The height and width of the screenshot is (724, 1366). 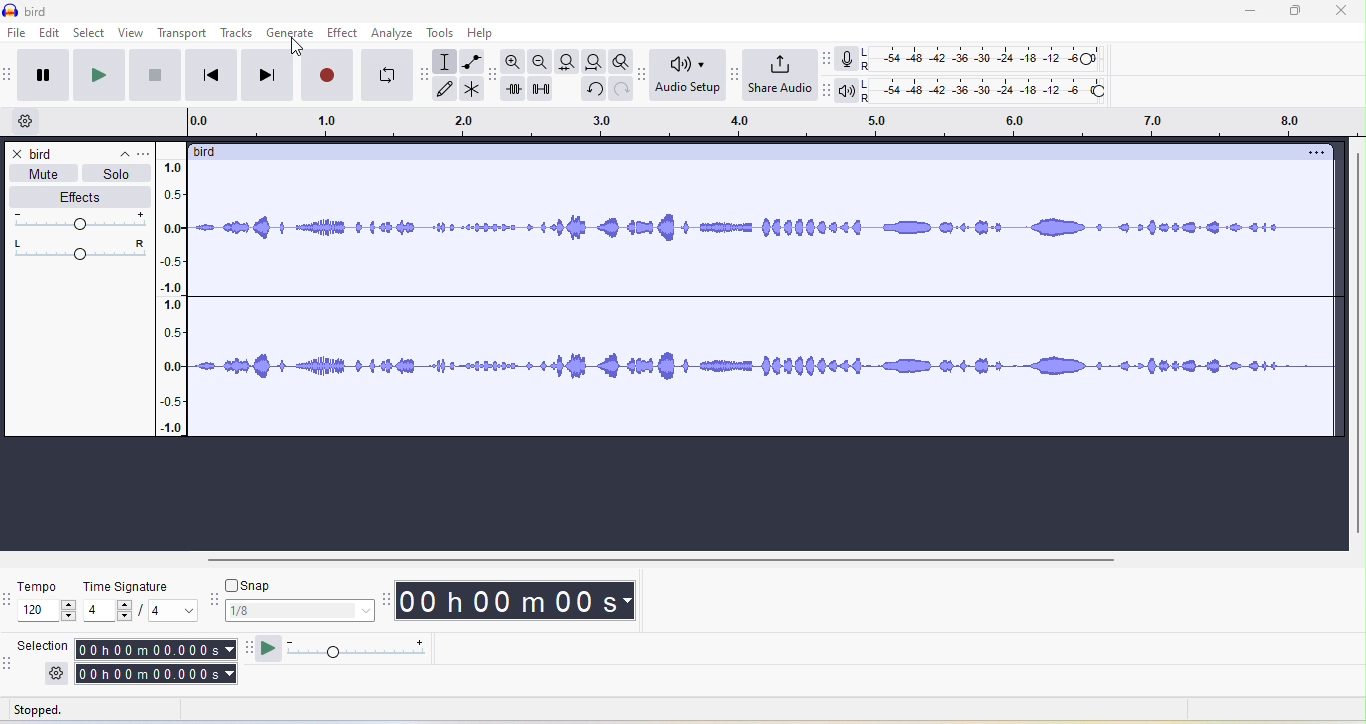 I want to click on selection, so click(x=158, y=661).